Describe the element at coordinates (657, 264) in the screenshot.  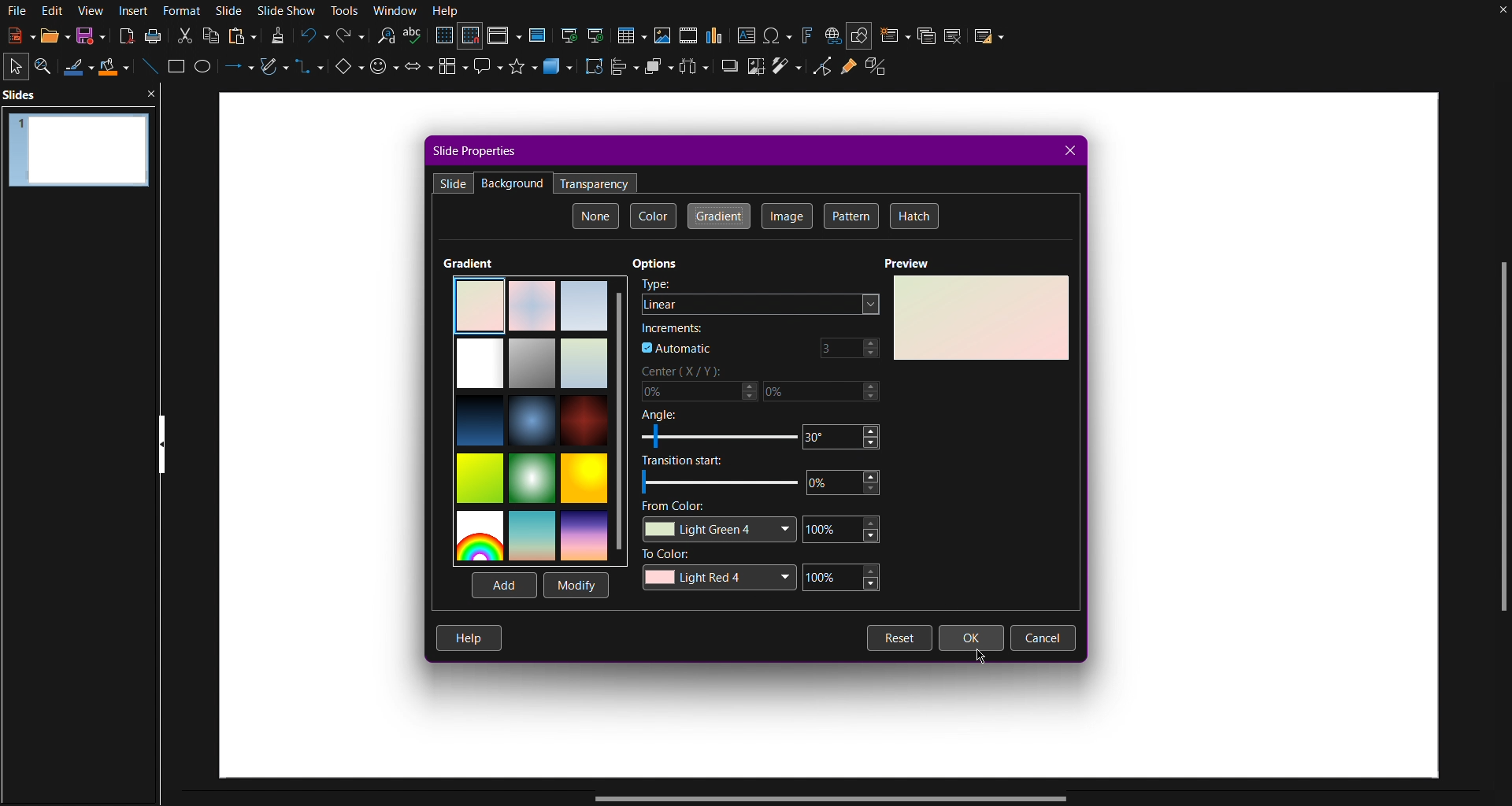
I see `Options` at that location.